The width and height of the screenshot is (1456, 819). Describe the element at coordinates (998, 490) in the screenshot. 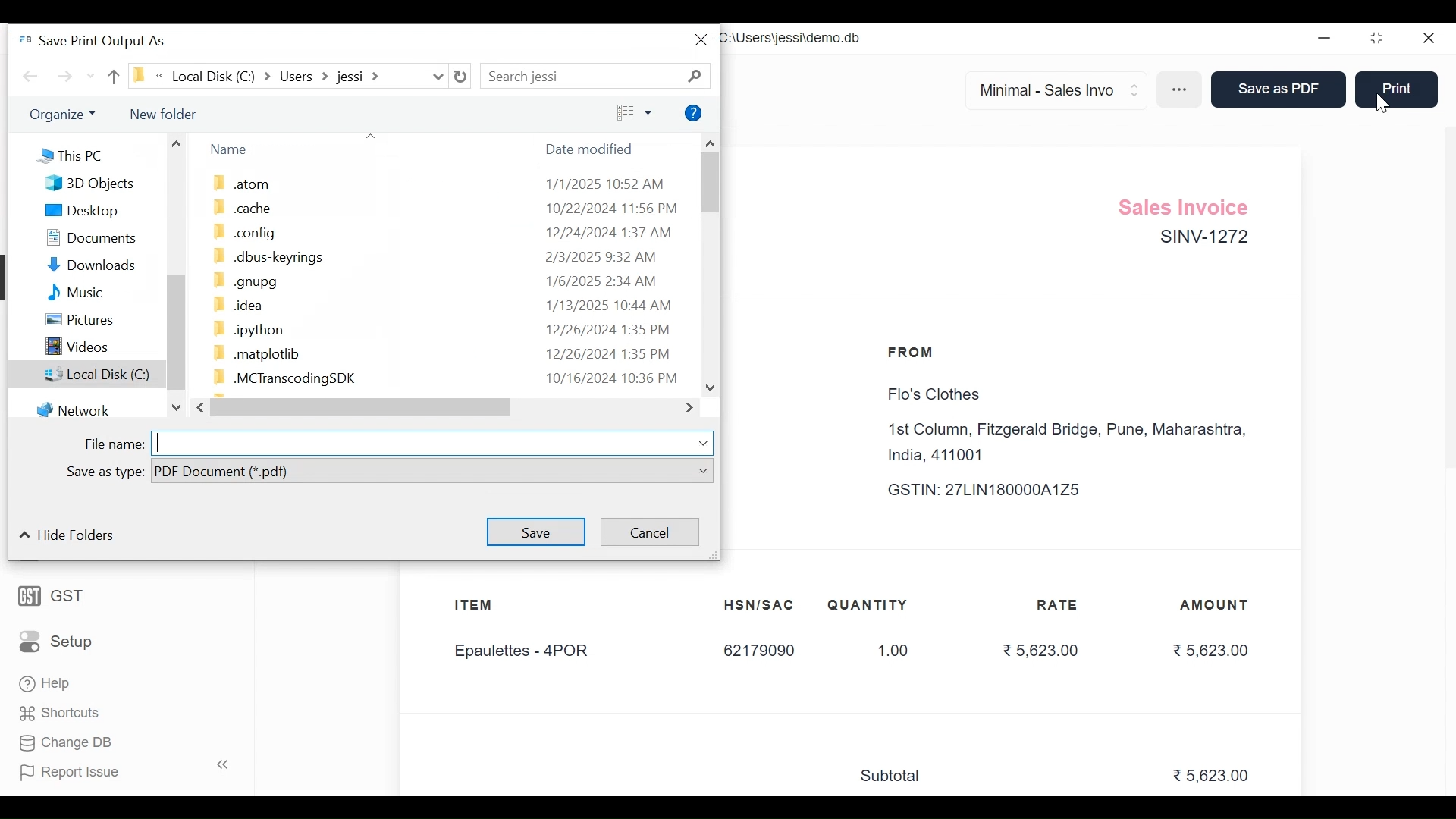

I see `GSTIN: 27LIN180000A1Z5` at that location.